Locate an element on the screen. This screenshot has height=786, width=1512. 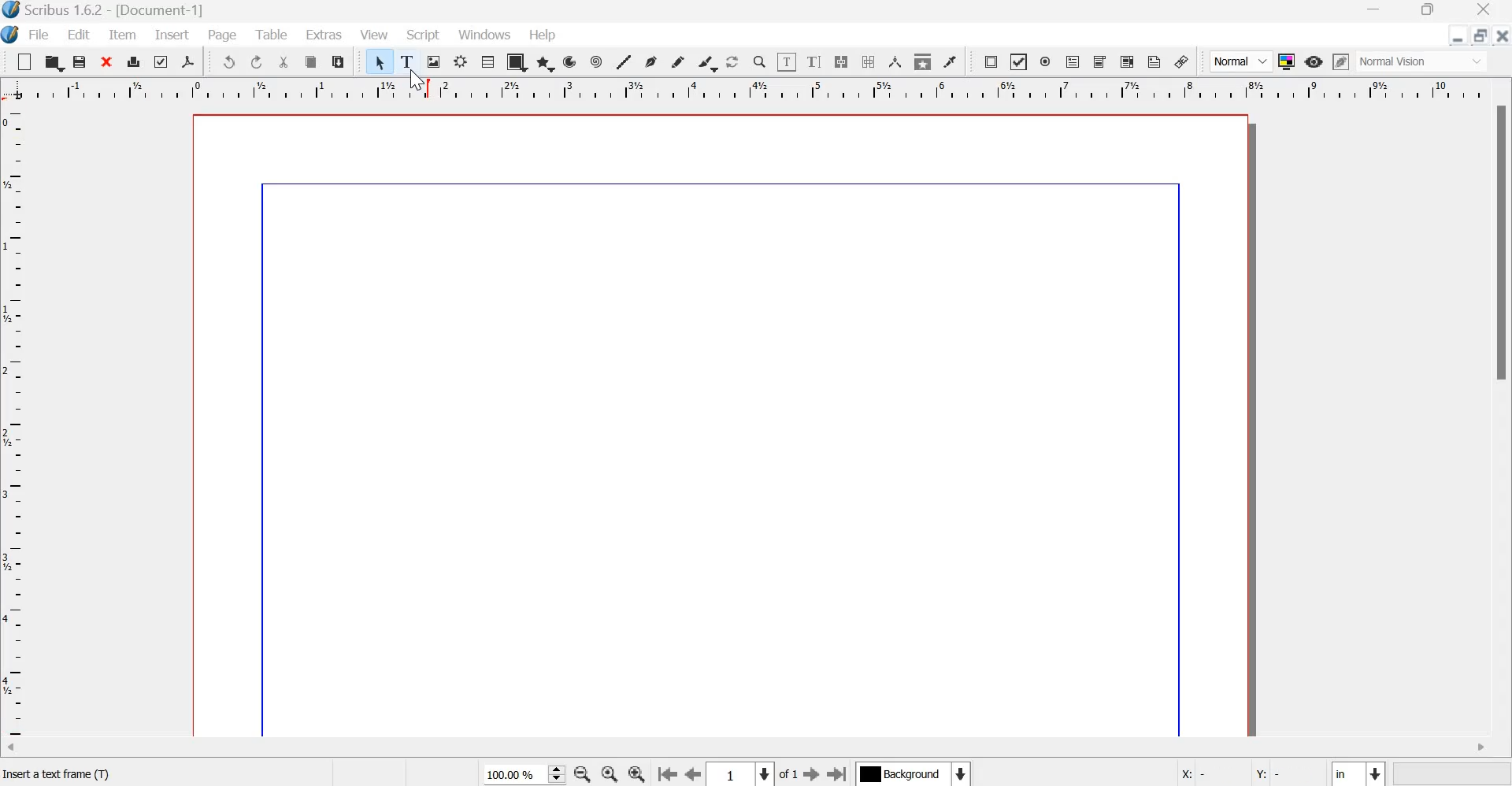
View is located at coordinates (374, 35).